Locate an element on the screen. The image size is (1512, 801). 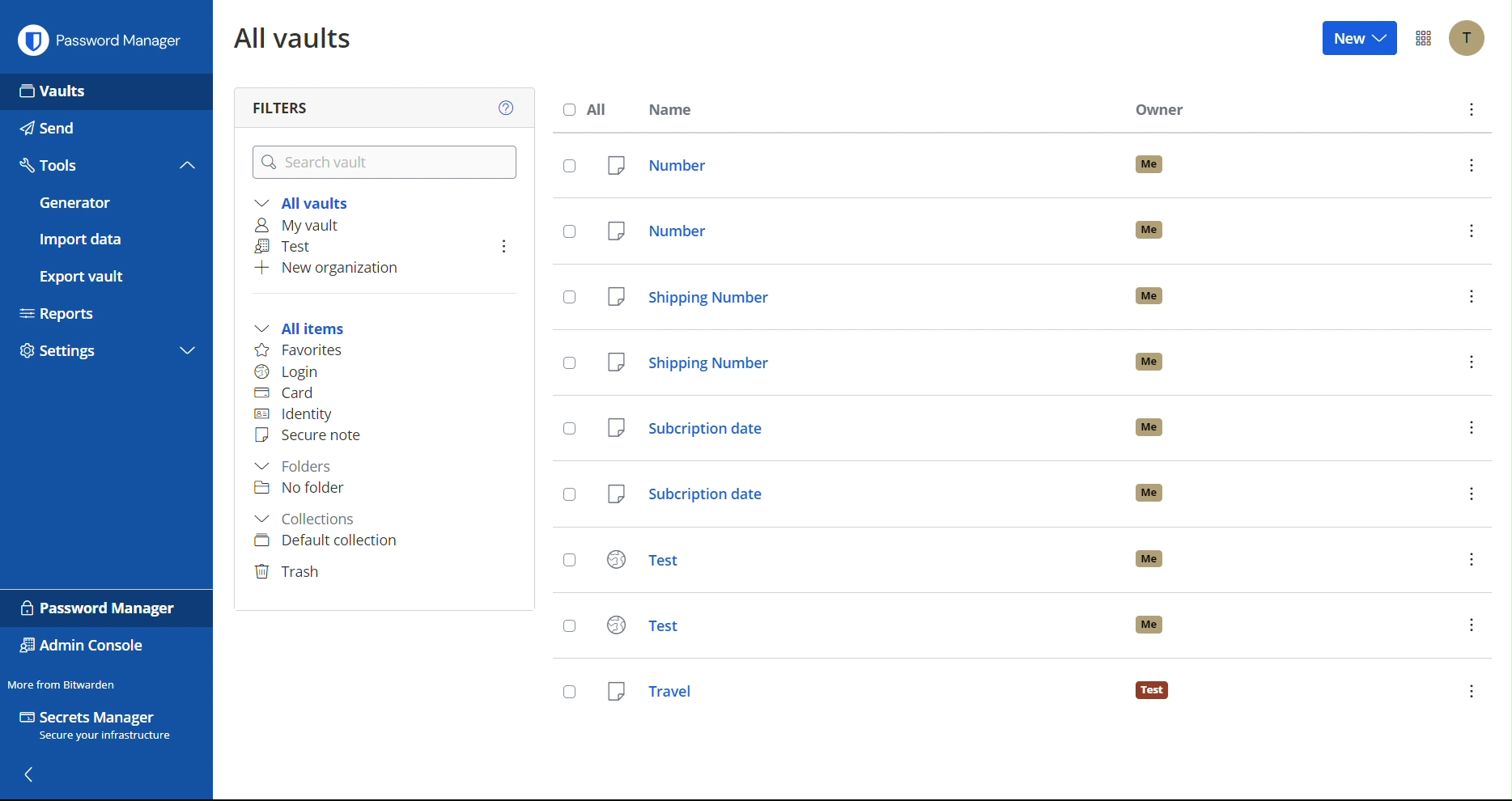
options is located at coordinates (1471, 362).